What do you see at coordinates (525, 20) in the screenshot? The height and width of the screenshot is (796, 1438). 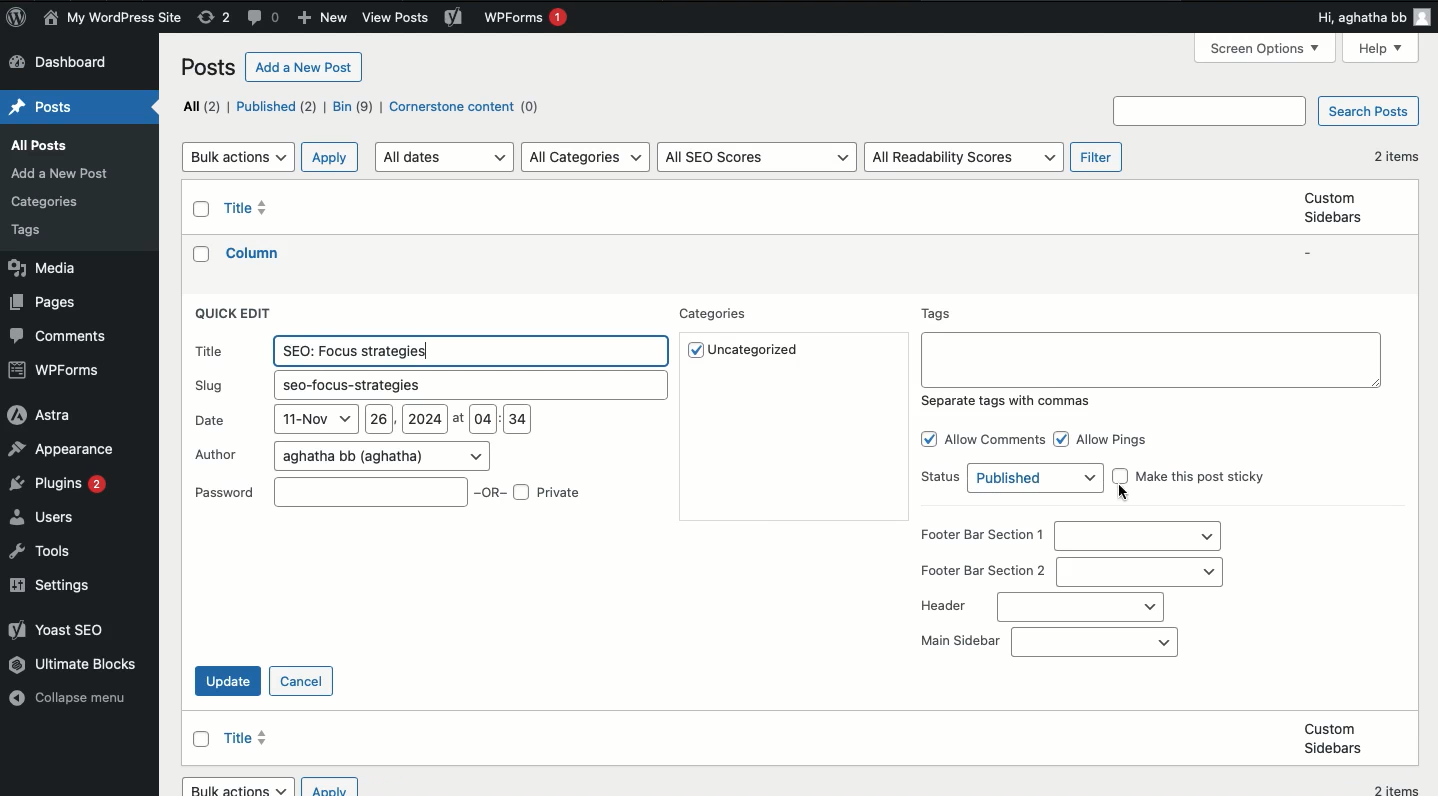 I see `WPForms` at bounding box center [525, 20].